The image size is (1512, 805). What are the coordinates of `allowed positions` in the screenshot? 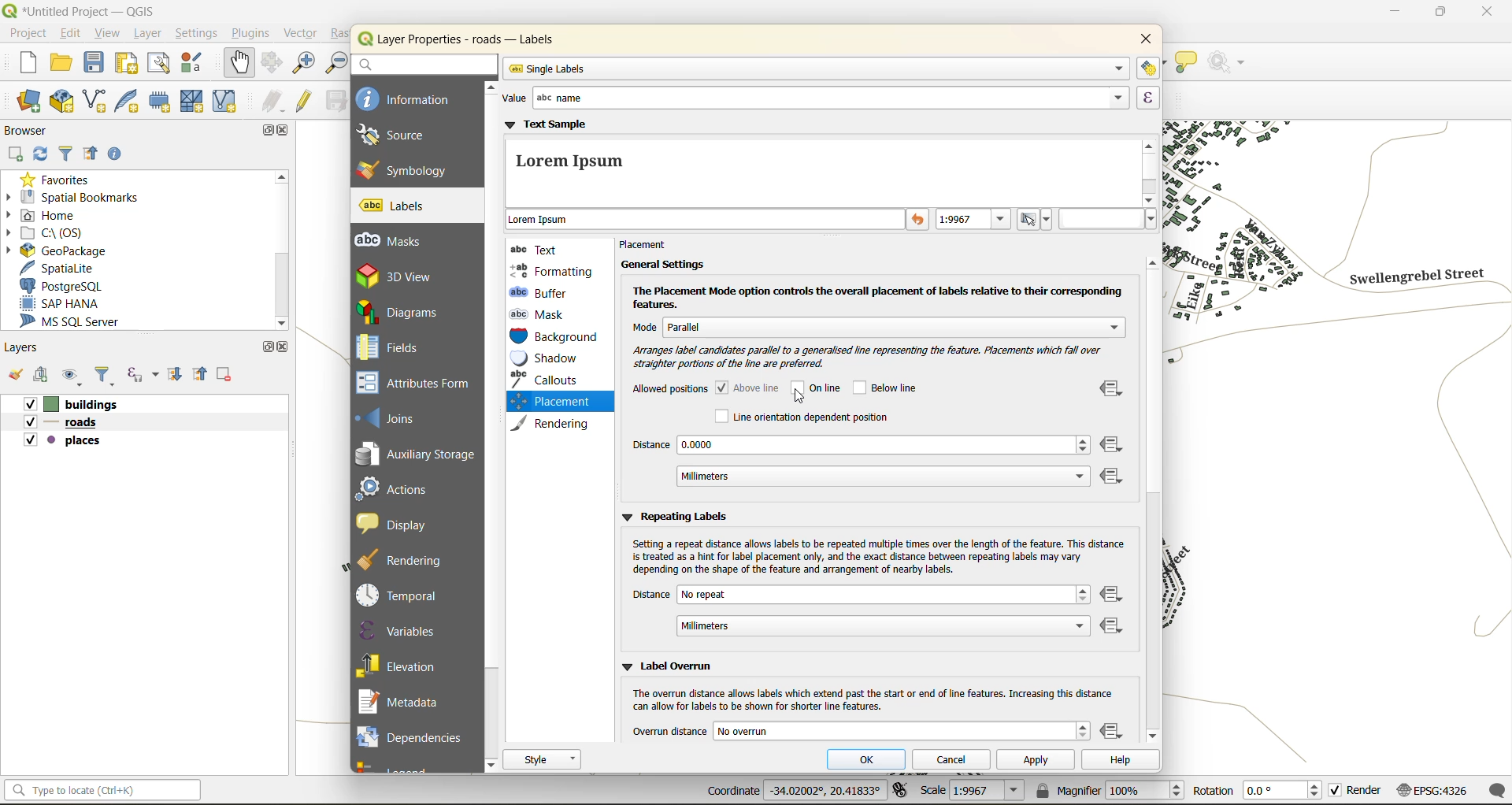 It's located at (669, 391).